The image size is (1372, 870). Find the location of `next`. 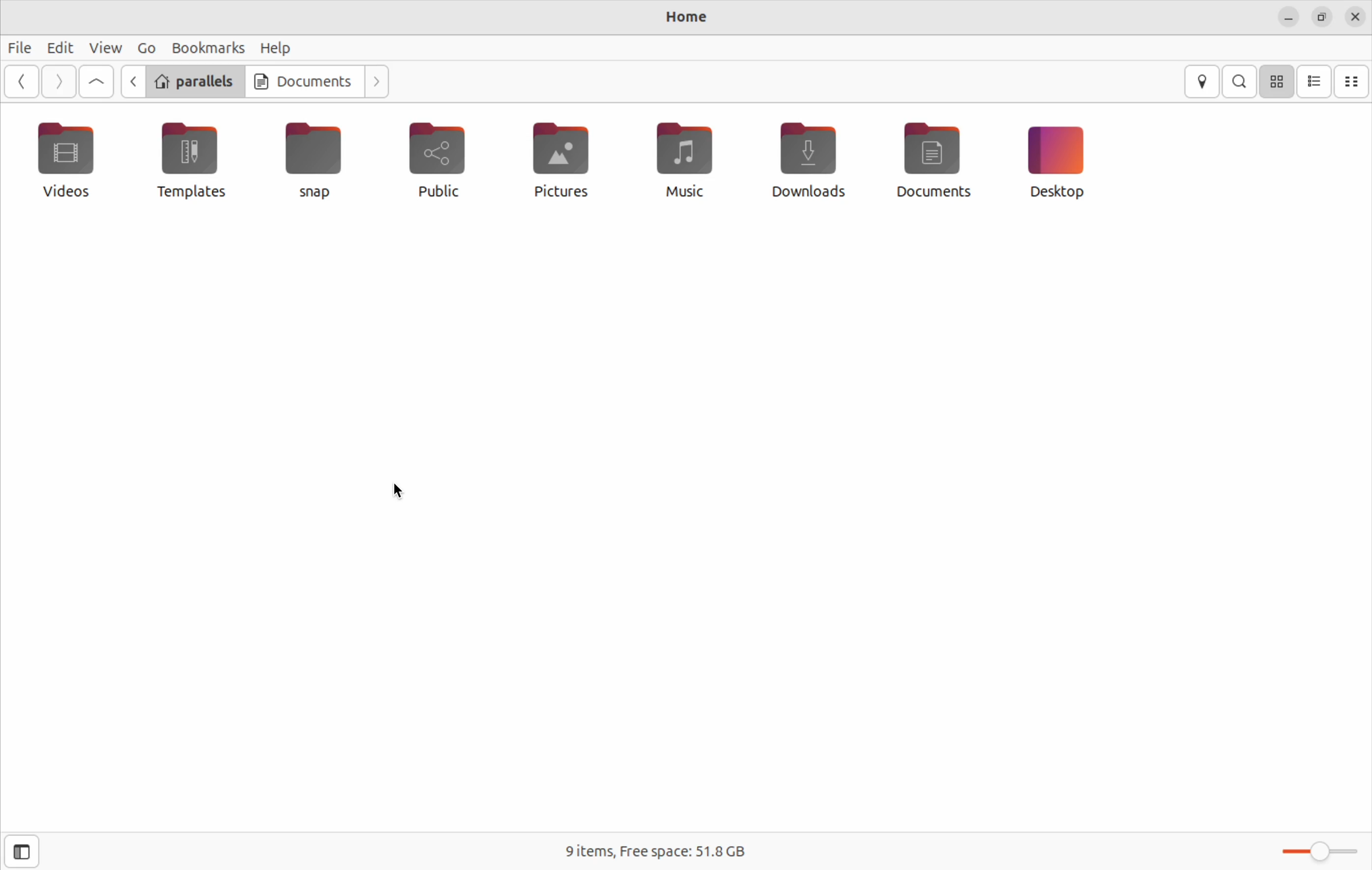

next is located at coordinates (57, 83).